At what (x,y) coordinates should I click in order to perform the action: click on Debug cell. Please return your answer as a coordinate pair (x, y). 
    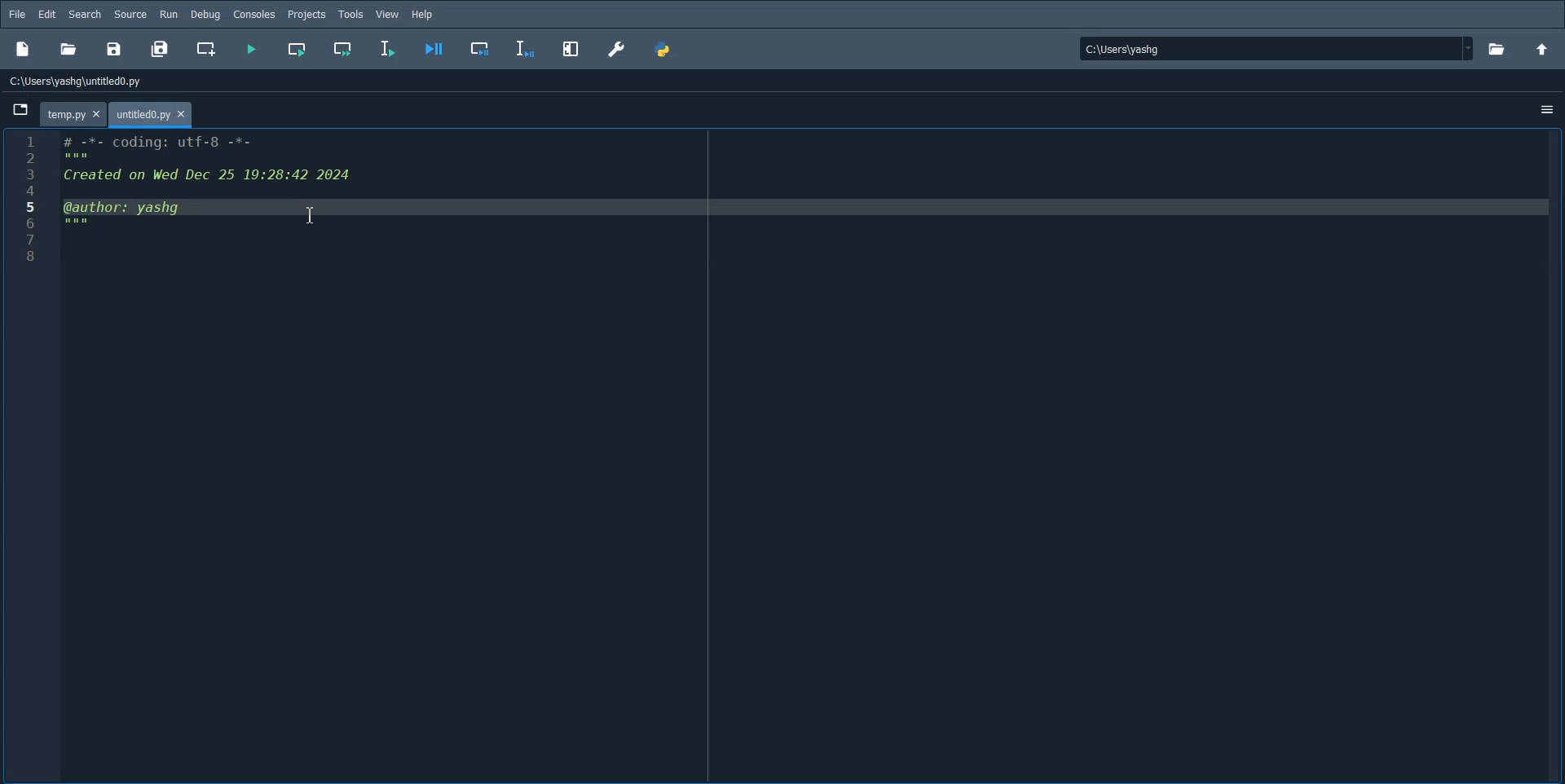
    Looking at the image, I should click on (479, 51).